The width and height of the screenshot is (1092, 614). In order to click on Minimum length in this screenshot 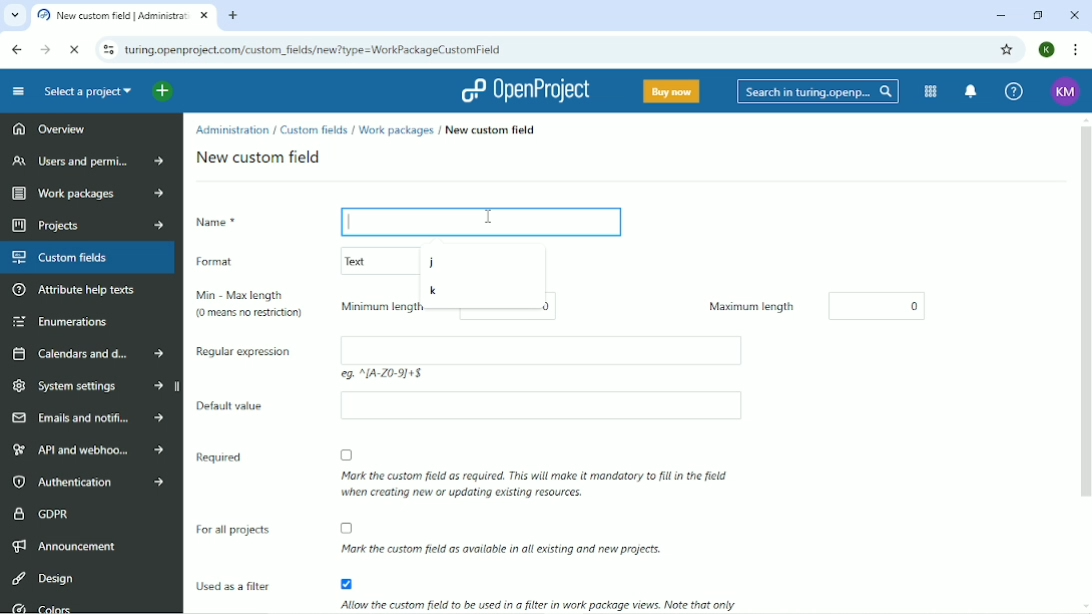, I will do `click(377, 308)`.